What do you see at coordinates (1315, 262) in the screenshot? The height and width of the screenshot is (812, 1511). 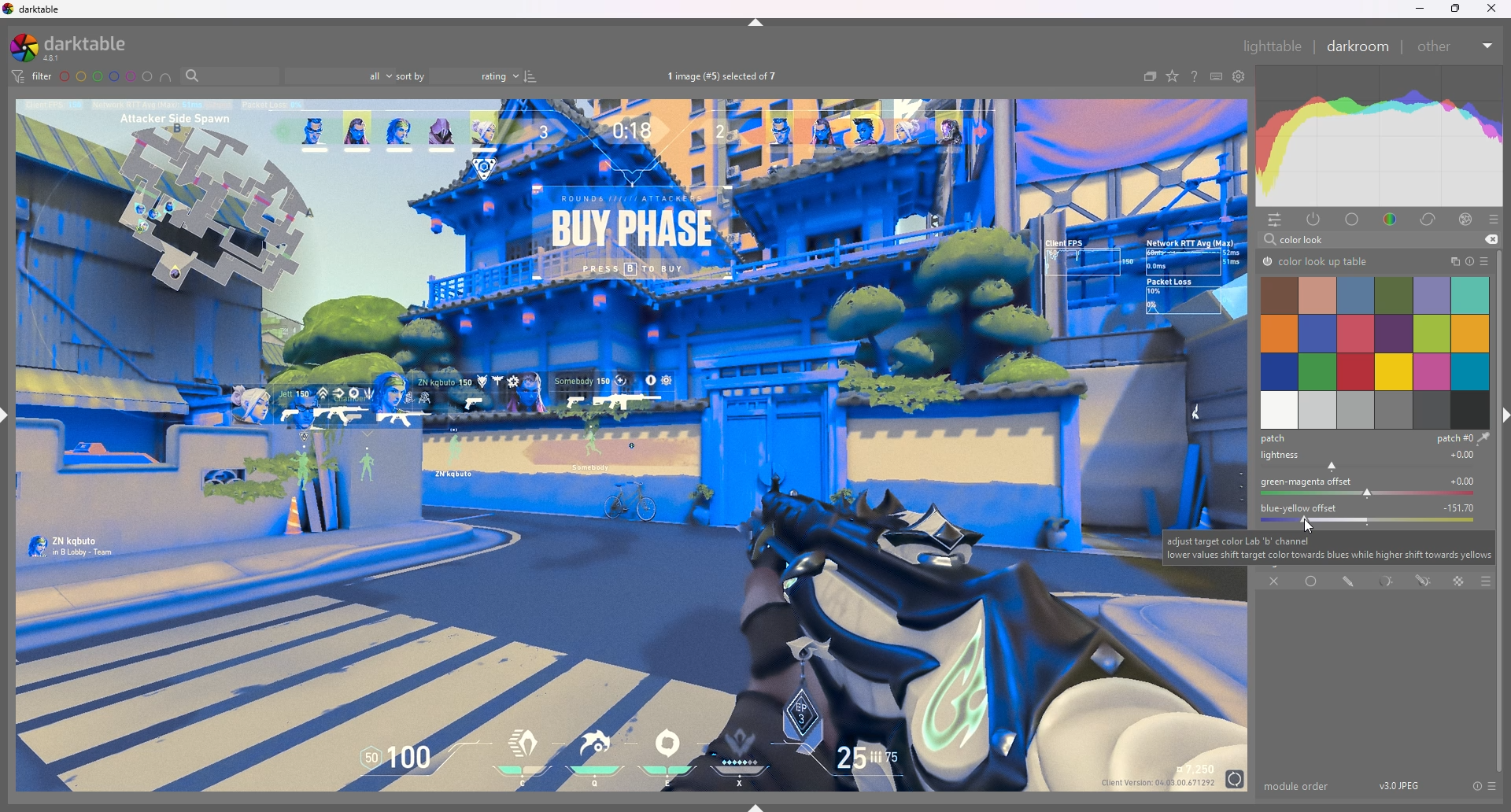 I see `color lookup table` at bounding box center [1315, 262].